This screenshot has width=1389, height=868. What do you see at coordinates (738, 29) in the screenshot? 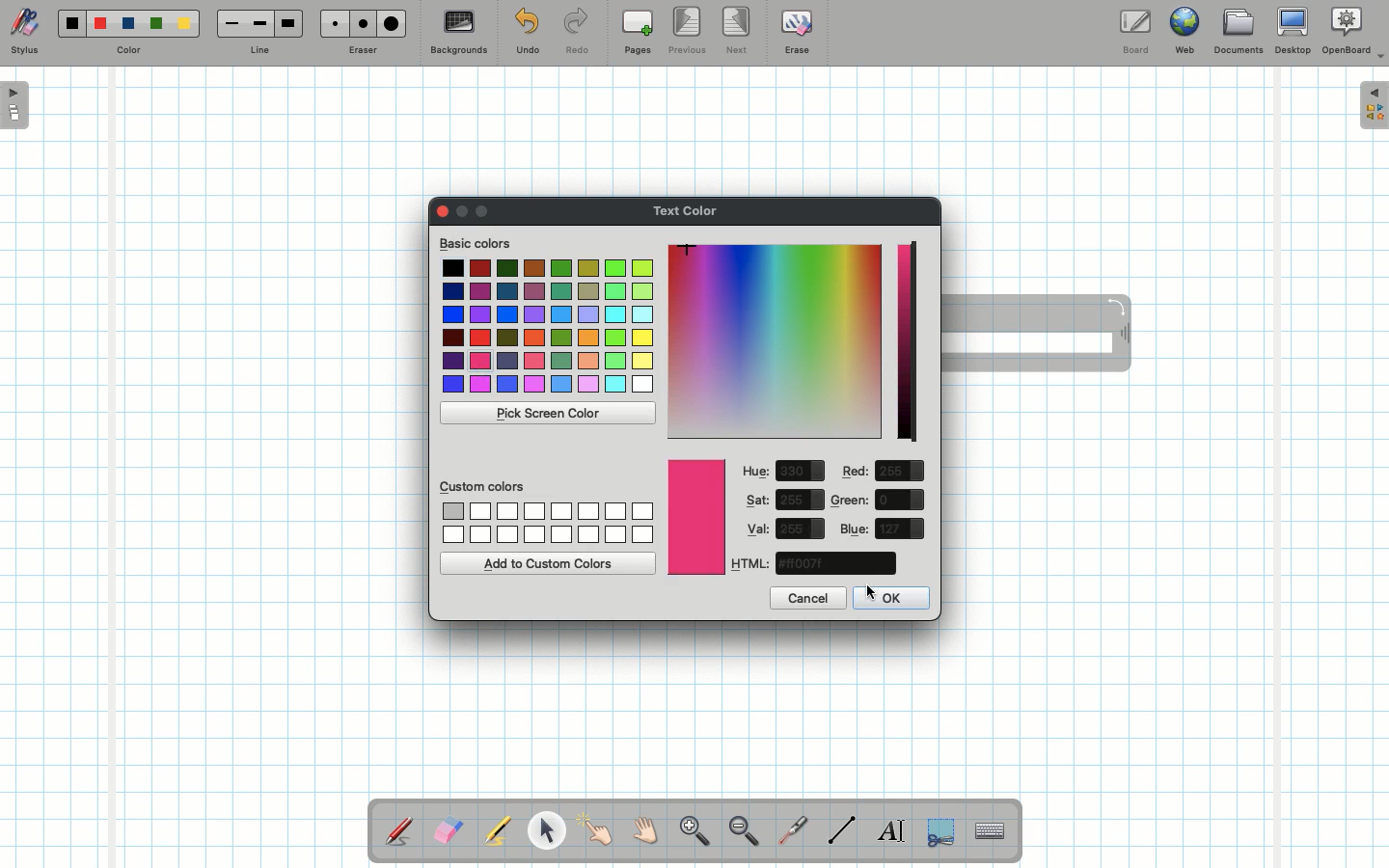
I see `Next` at bounding box center [738, 29].